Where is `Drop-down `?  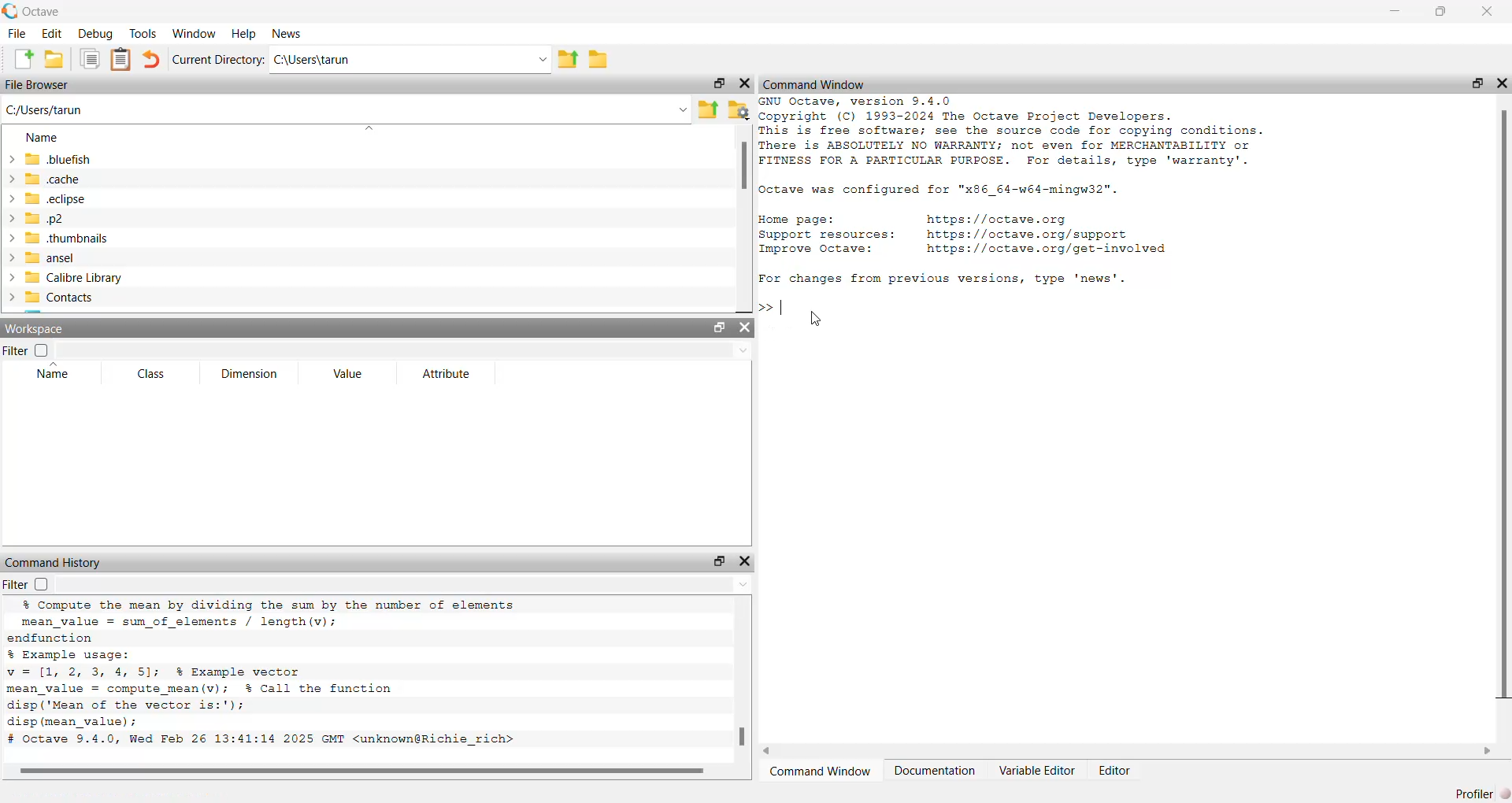 Drop-down  is located at coordinates (542, 60).